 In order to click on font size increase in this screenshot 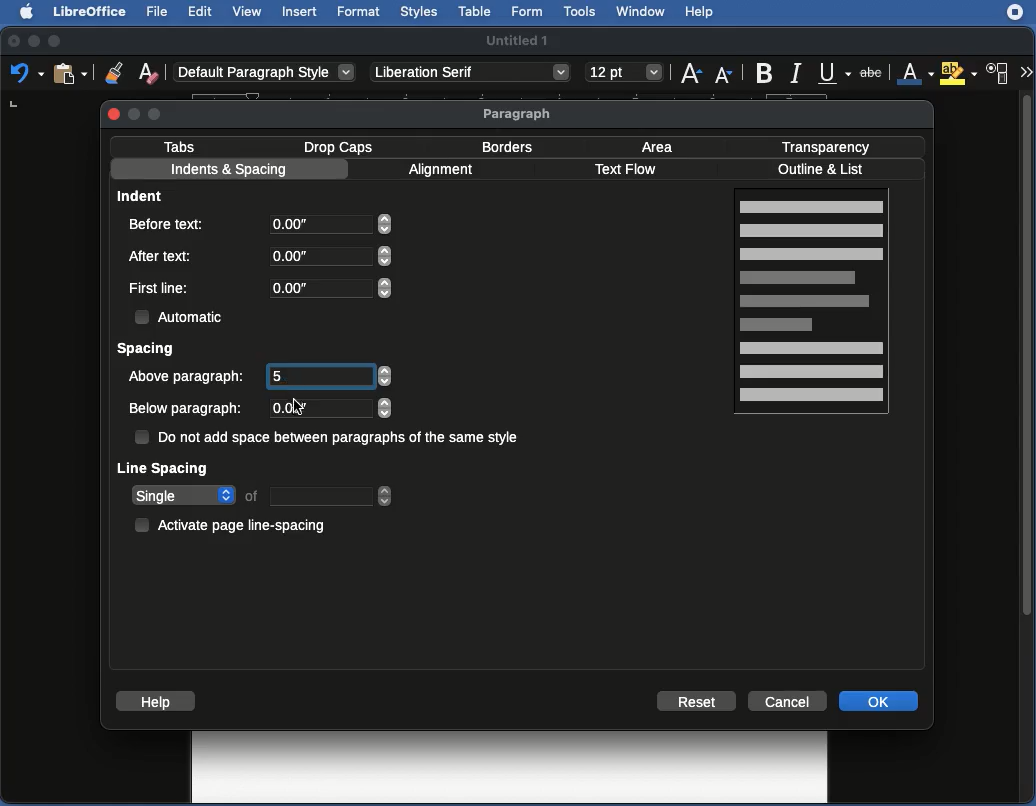, I will do `click(688, 77)`.